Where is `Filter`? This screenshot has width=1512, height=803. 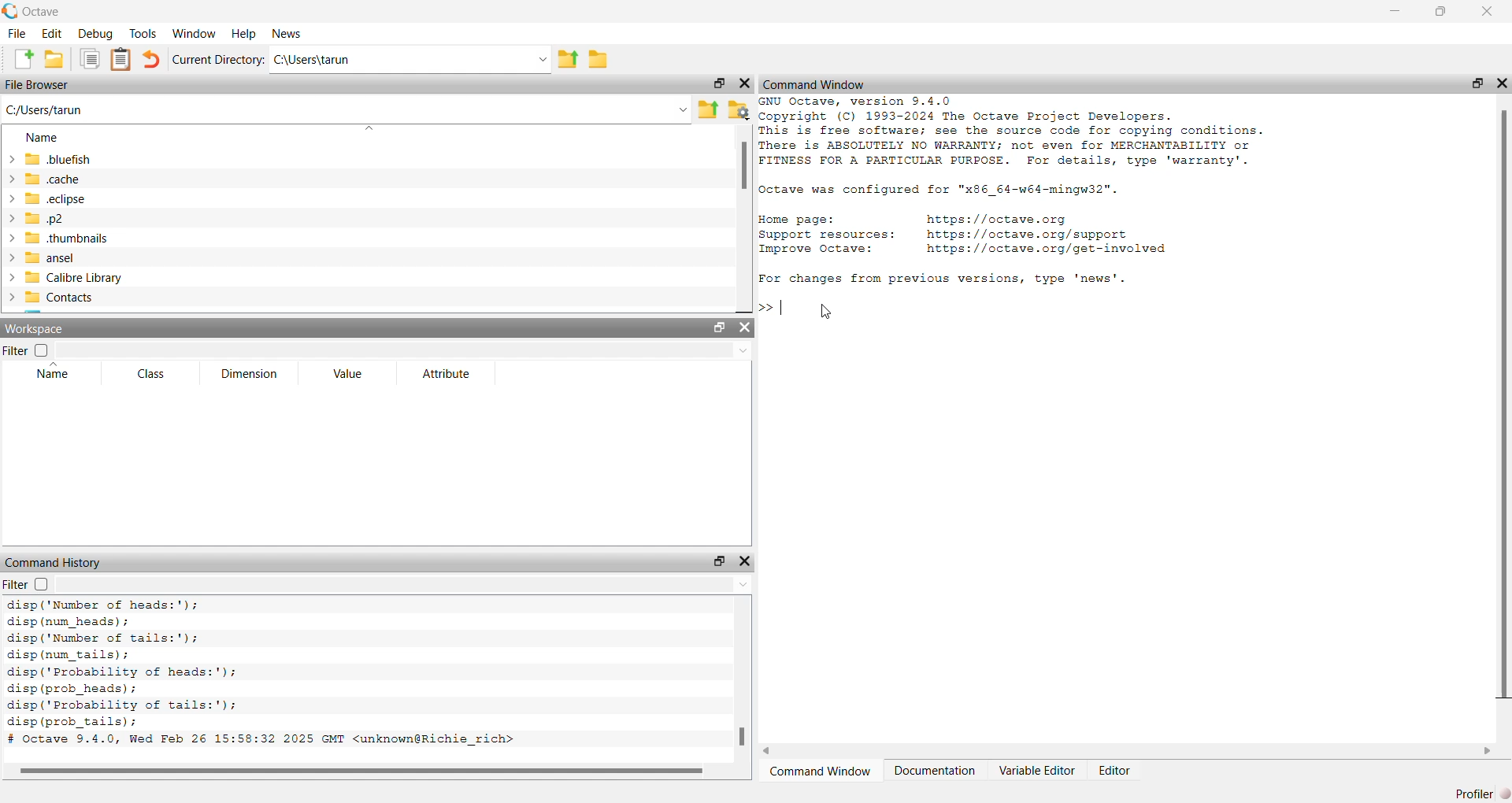 Filter is located at coordinates (26, 350).